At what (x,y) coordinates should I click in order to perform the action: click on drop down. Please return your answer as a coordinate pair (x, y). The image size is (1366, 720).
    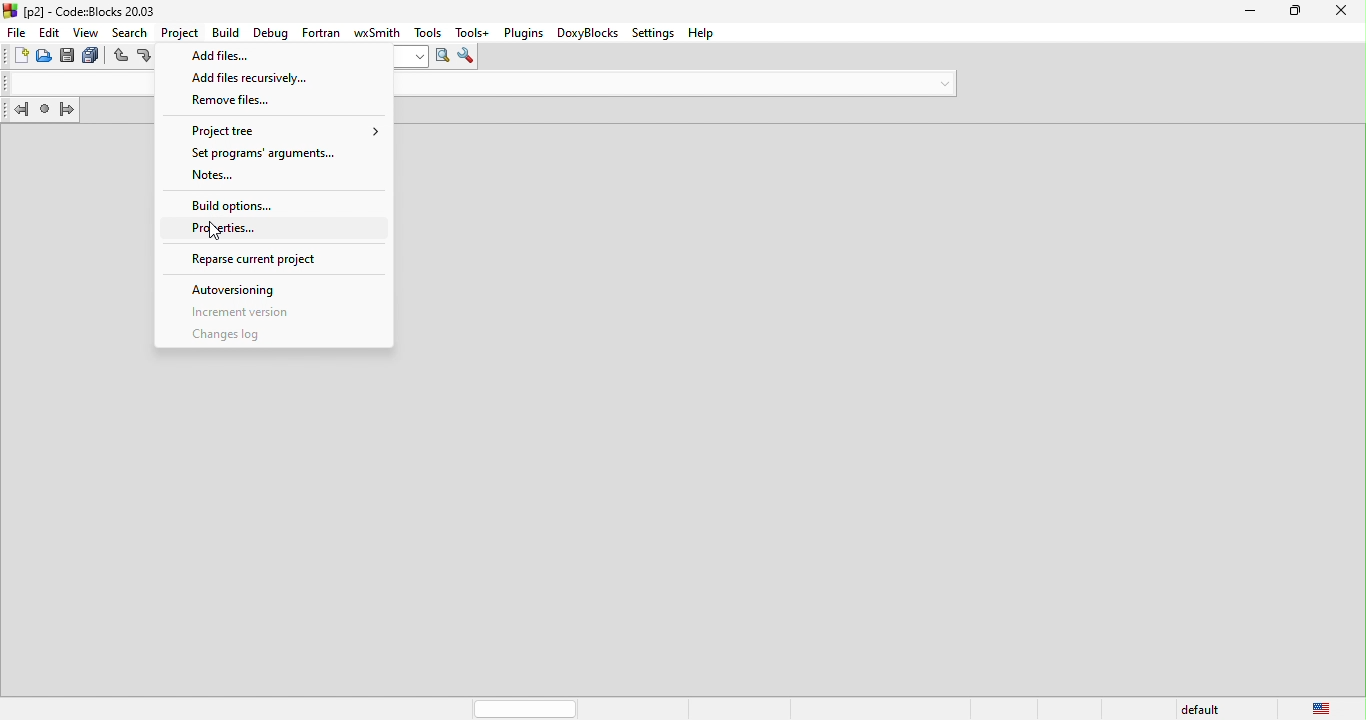
    Looking at the image, I should click on (941, 81).